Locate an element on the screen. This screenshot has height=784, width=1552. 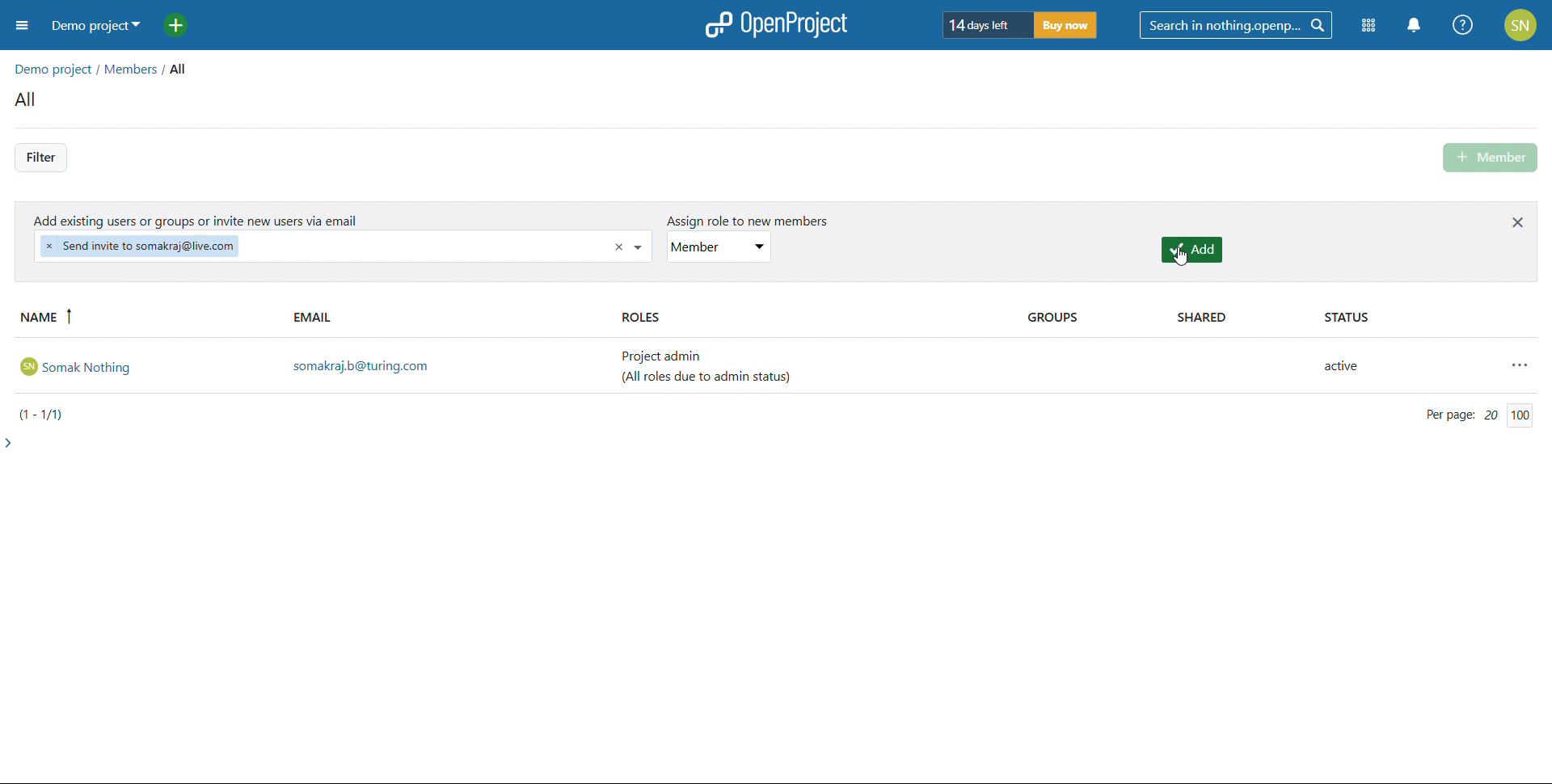
add is located at coordinates (1192, 250).